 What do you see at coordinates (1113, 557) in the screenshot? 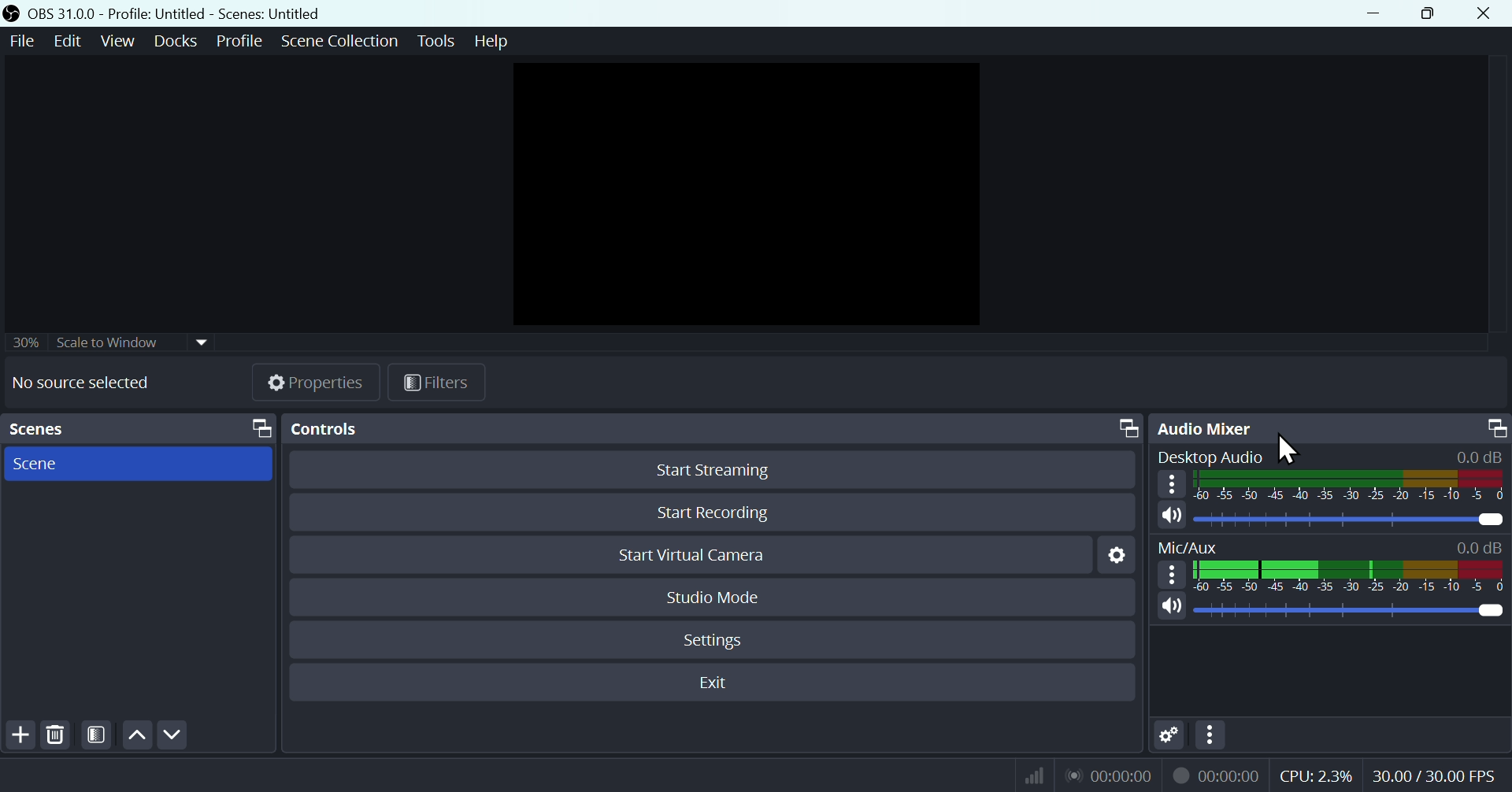
I see `Settings` at bounding box center [1113, 557].